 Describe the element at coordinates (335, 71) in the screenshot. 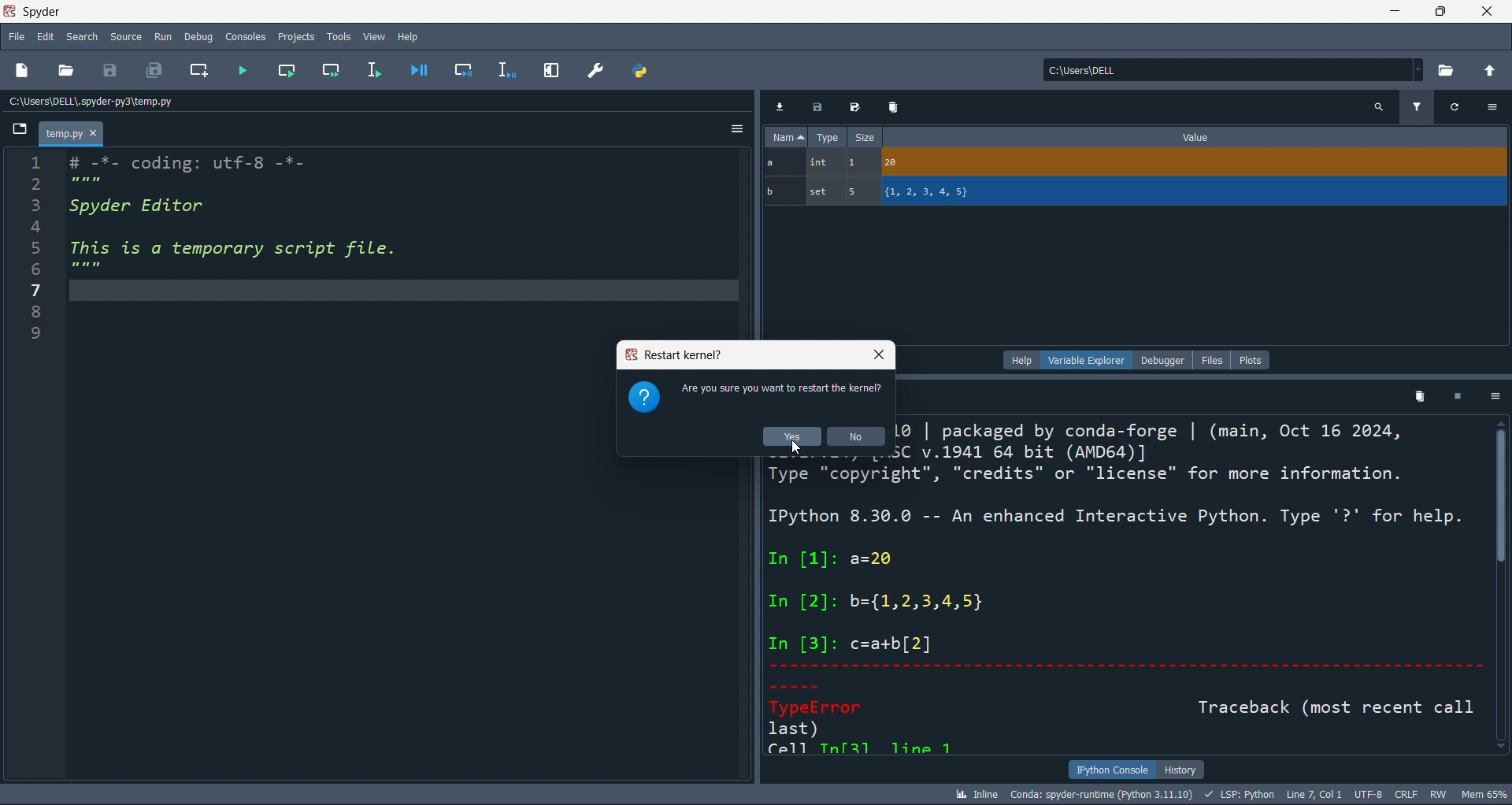

I see `run cell and move` at that location.